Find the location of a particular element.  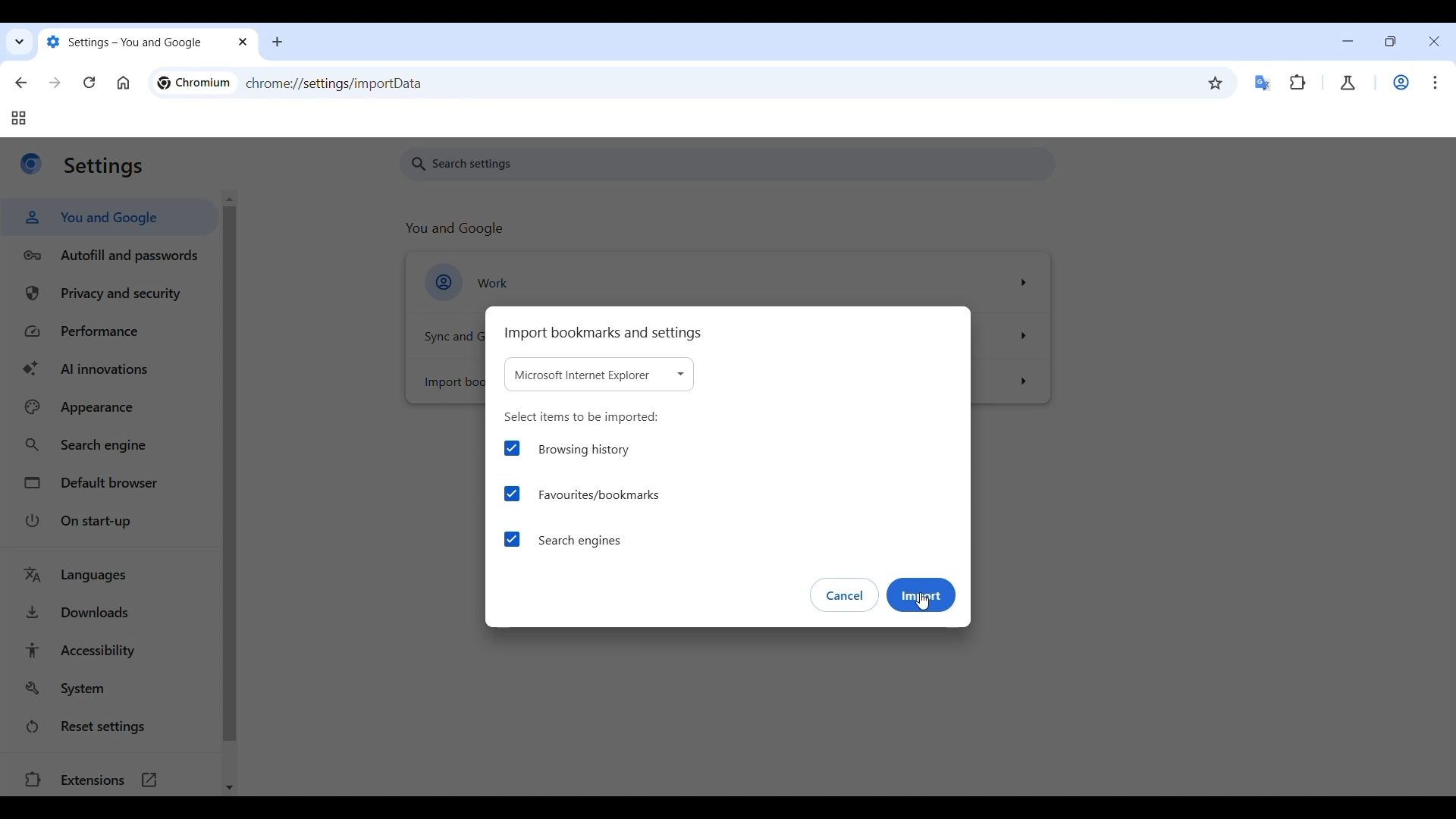

Go forward is located at coordinates (55, 82).